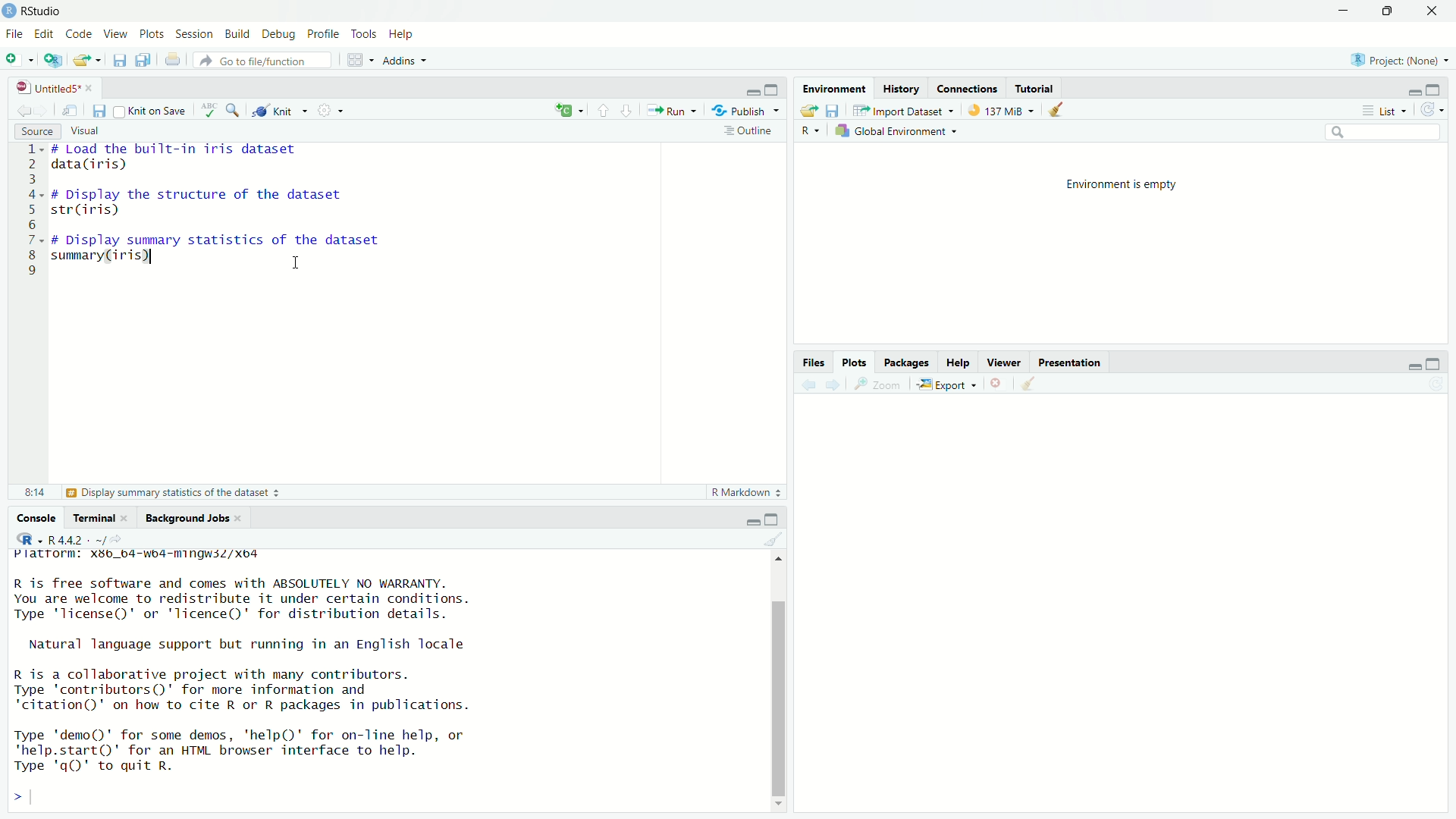 The image size is (1456, 819). What do you see at coordinates (1411, 90) in the screenshot?
I see `Hide` at bounding box center [1411, 90].